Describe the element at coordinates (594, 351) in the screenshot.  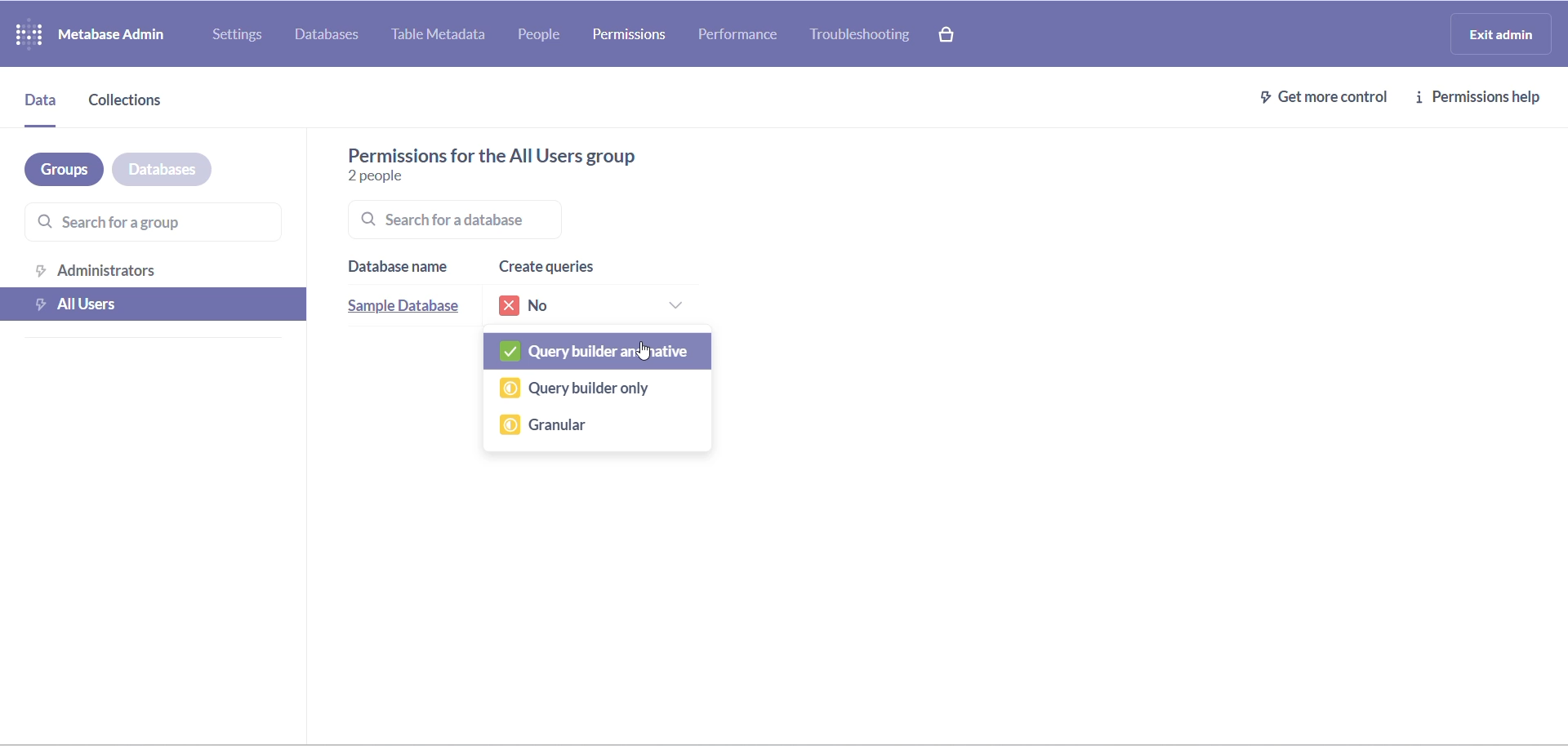
I see `query builder and native` at that location.